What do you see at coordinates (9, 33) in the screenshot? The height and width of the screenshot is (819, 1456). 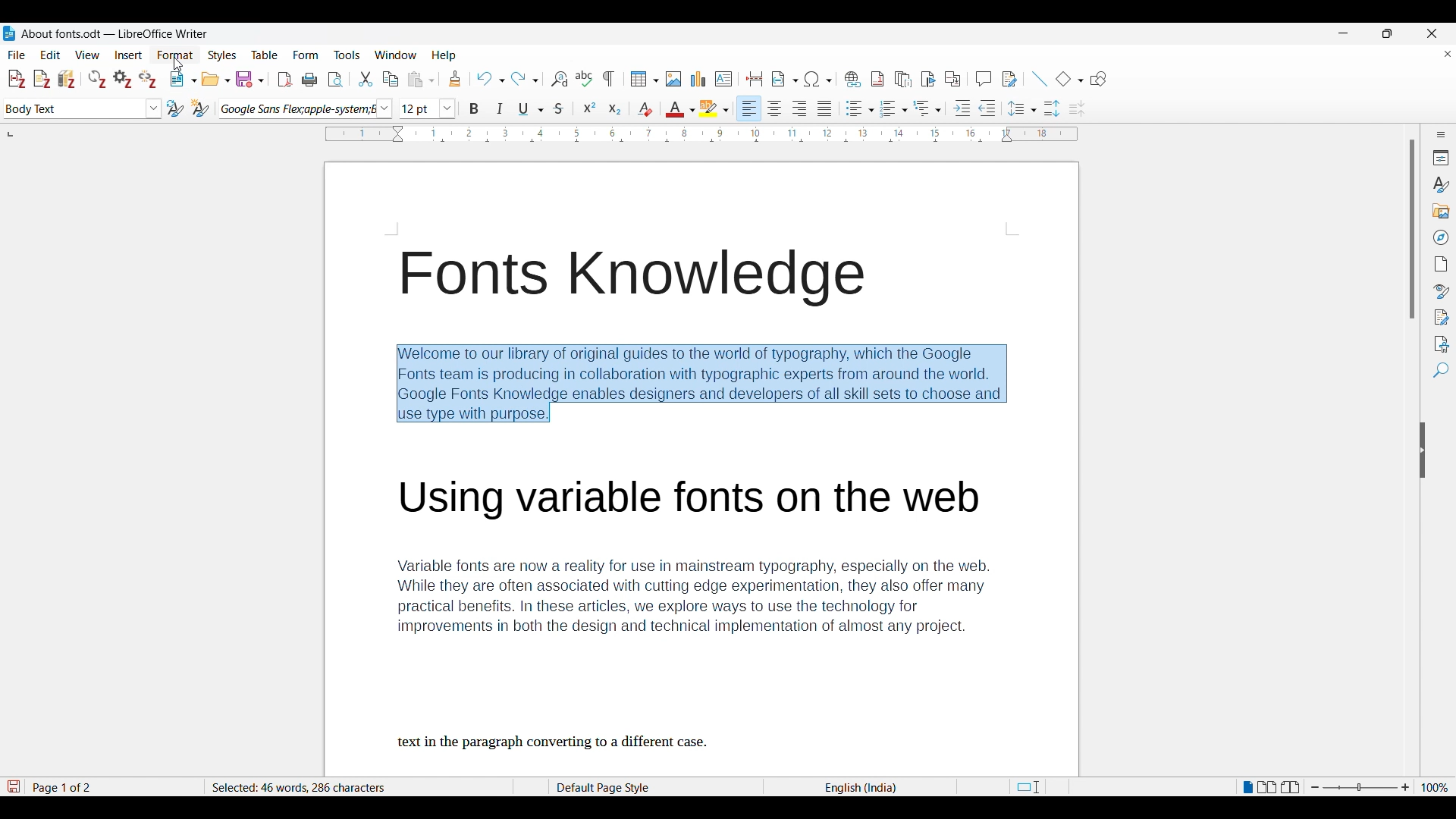 I see `Software logo` at bounding box center [9, 33].